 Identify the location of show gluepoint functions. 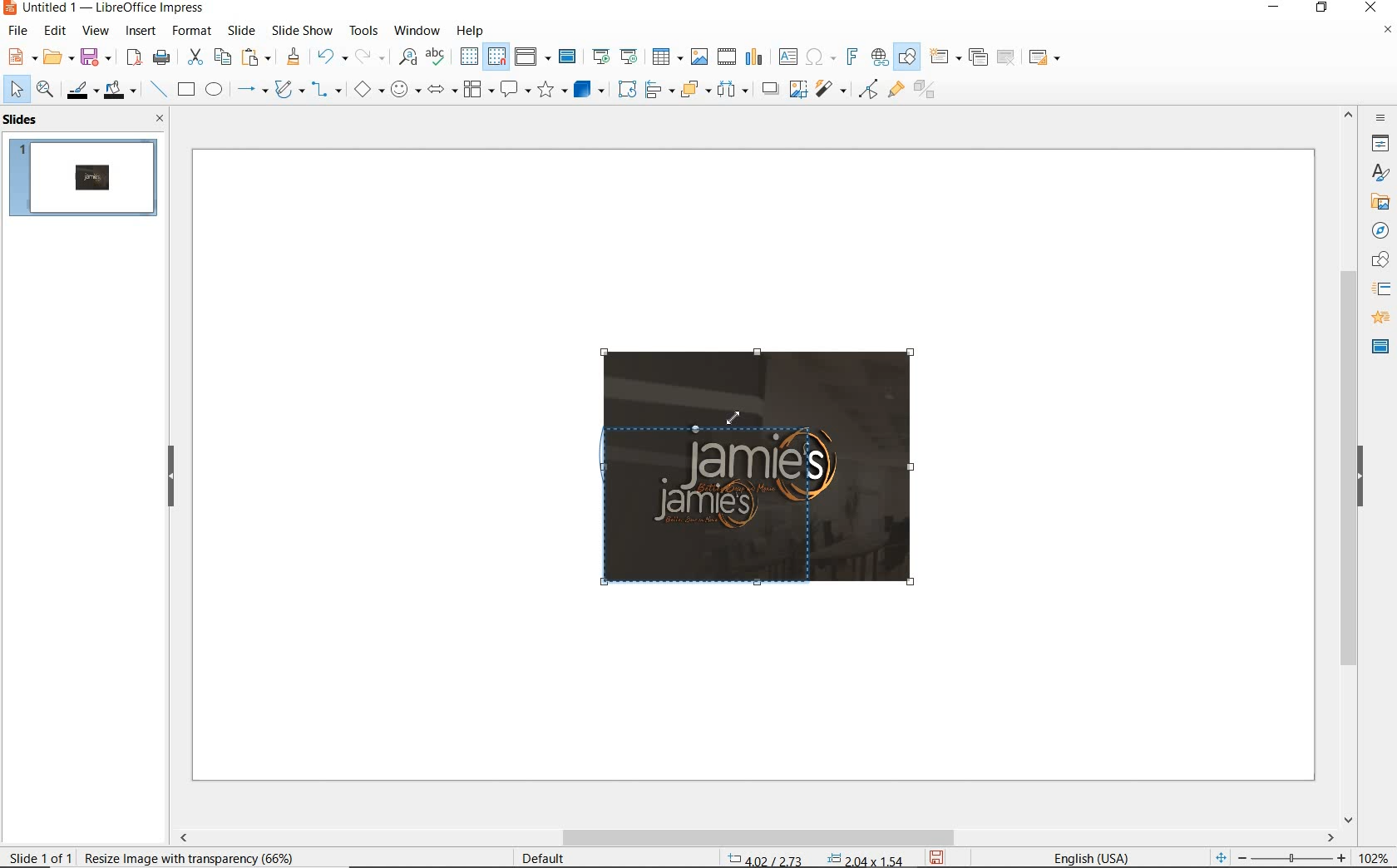
(892, 91).